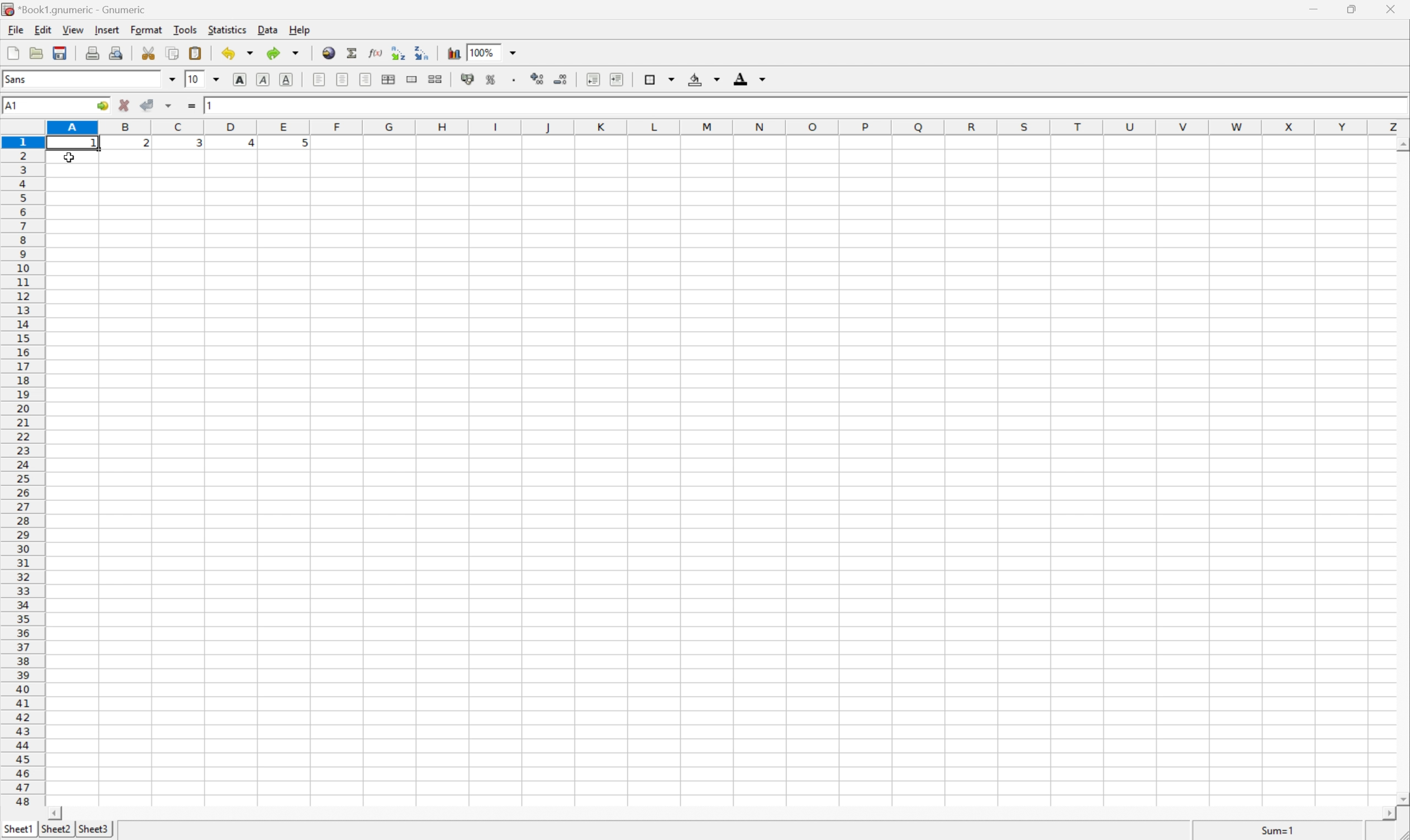 This screenshot has height=840, width=1410. Describe the element at coordinates (148, 105) in the screenshot. I see `accept changes` at that location.